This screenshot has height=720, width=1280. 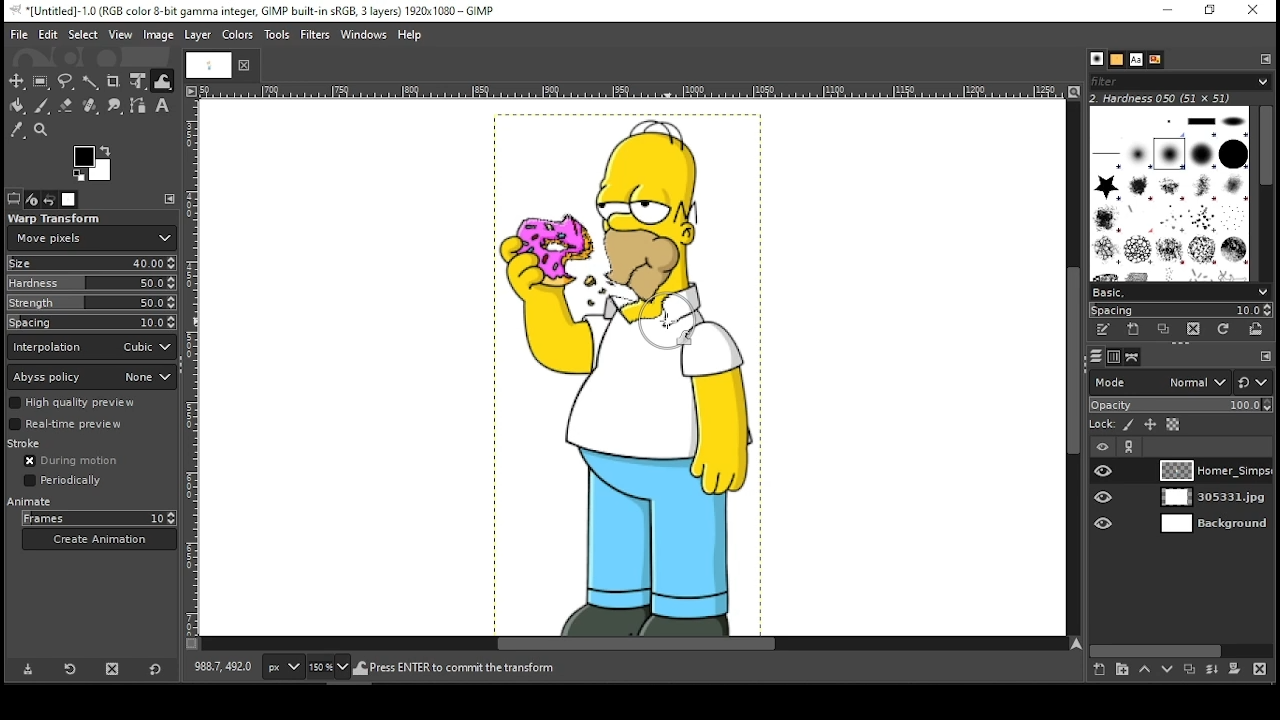 What do you see at coordinates (246, 65) in the screenshot?
I see `close` at bounding box center [246, 65].